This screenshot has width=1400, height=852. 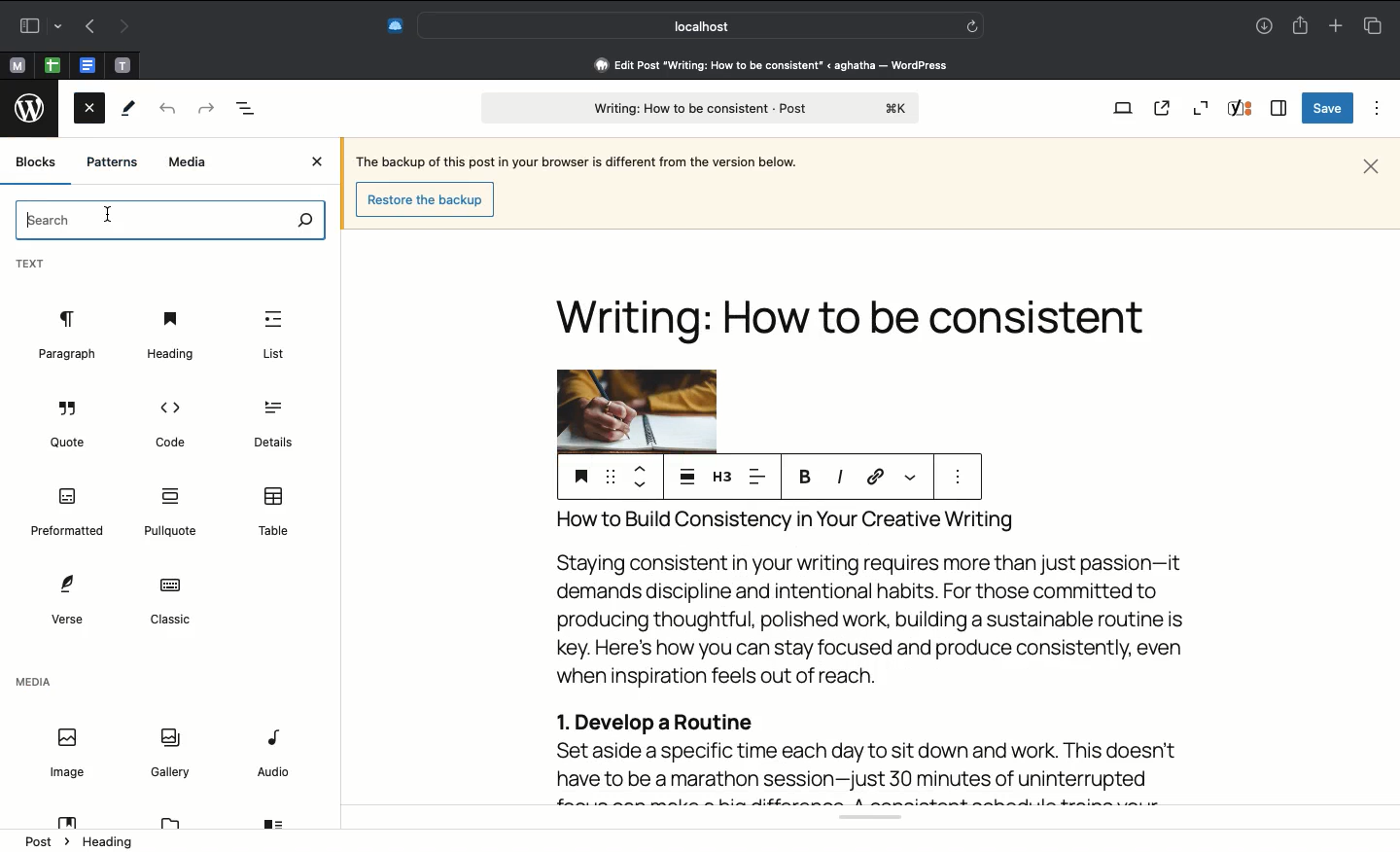 I want to click on Body, so click(x=871, y=655).